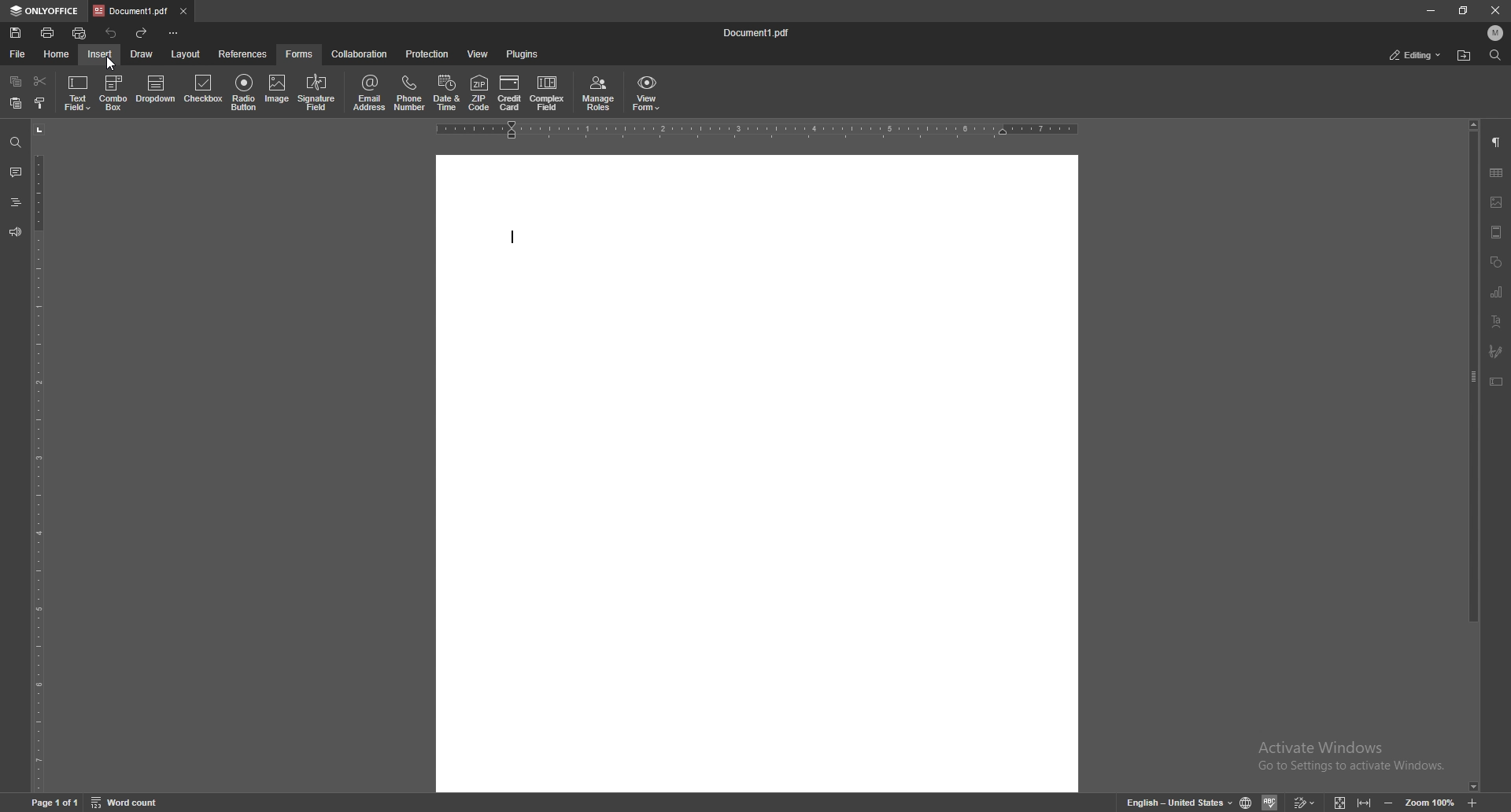  What do you see at coordinates (600, 94) in the screenshot?
I see `manage roles` at bounding box center [600, 94].